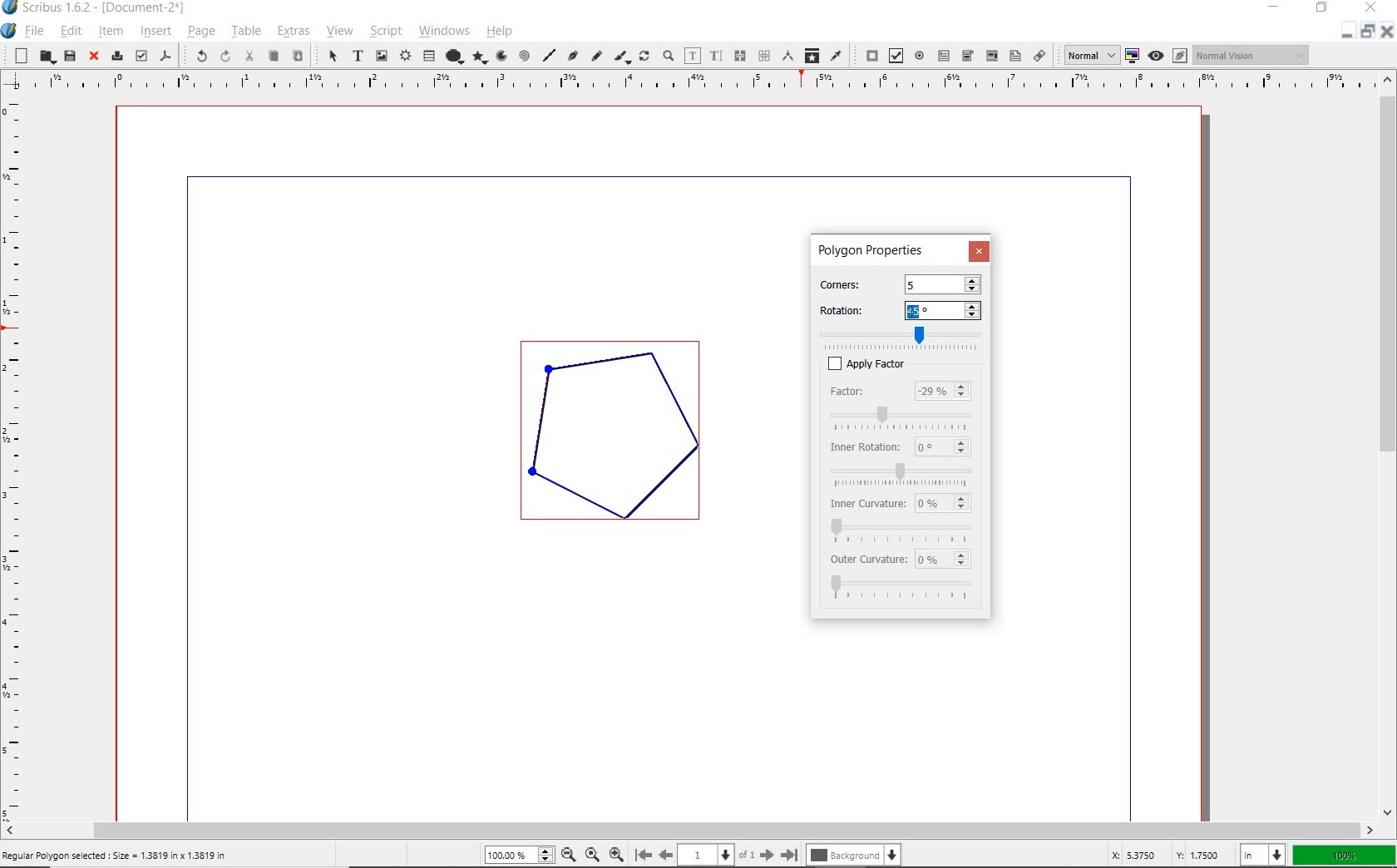  What do you see at coordinates (93, 57) in the screenshot?
I see `close` at bounding box center [93, 57].